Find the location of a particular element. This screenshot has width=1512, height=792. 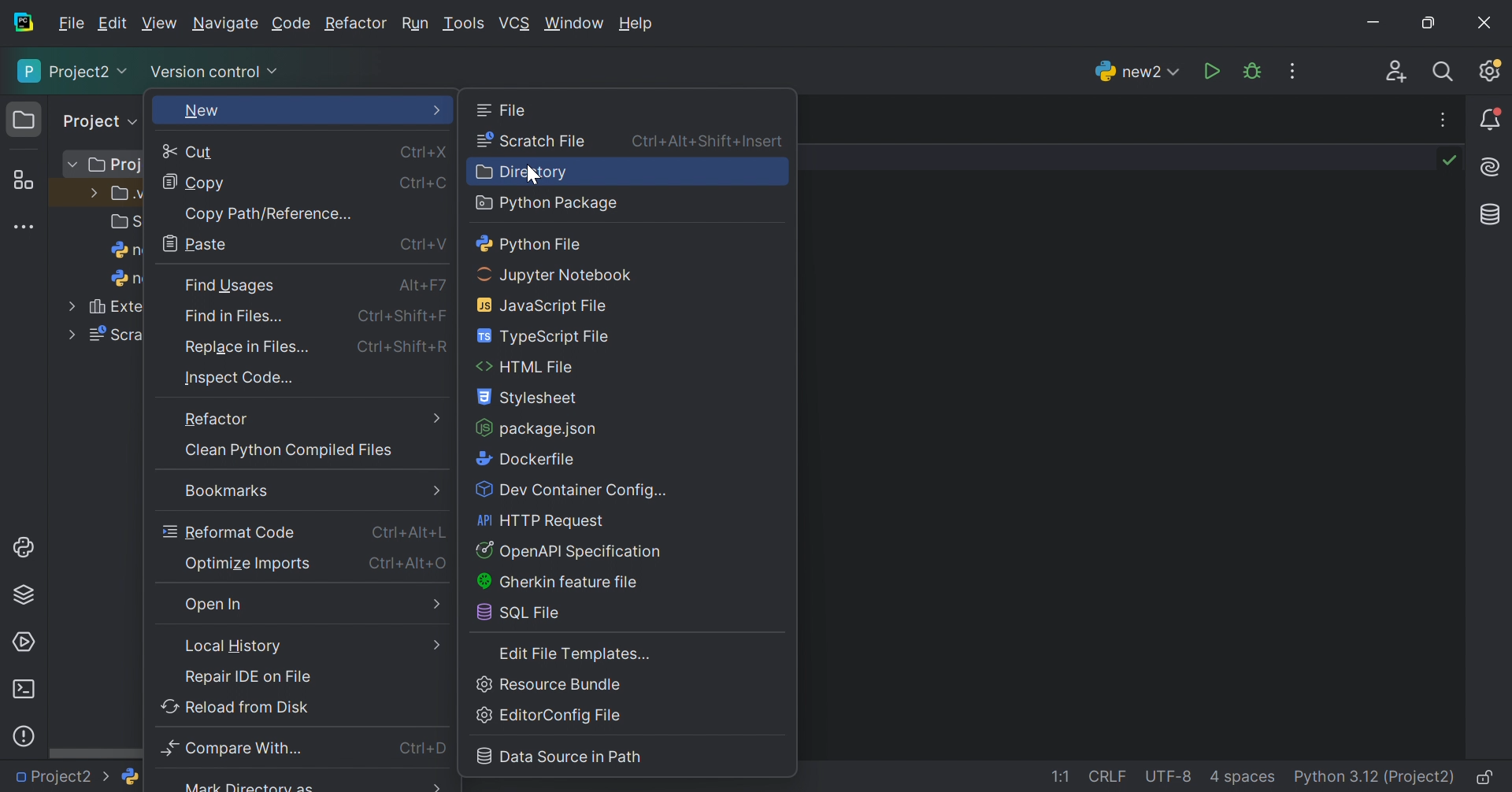

More is located at coordinates (421, 785).